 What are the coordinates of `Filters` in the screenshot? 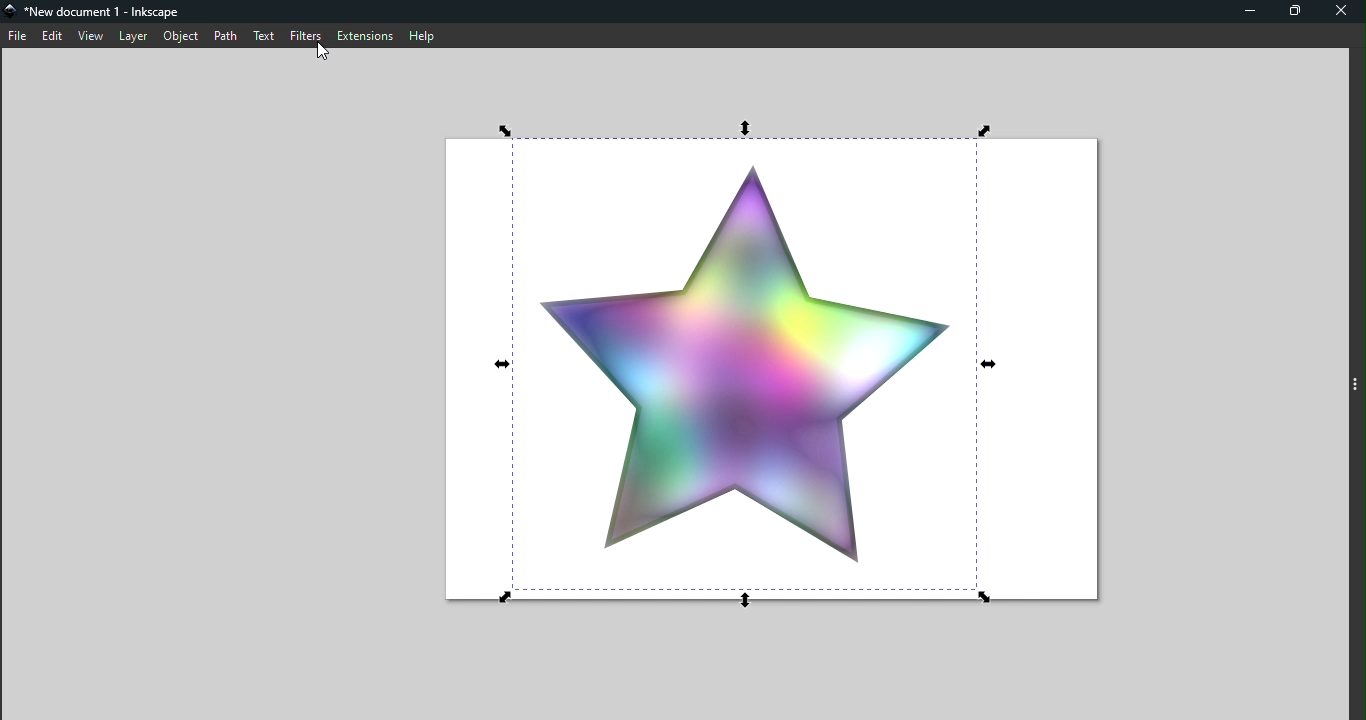 It's located at (304, 33).